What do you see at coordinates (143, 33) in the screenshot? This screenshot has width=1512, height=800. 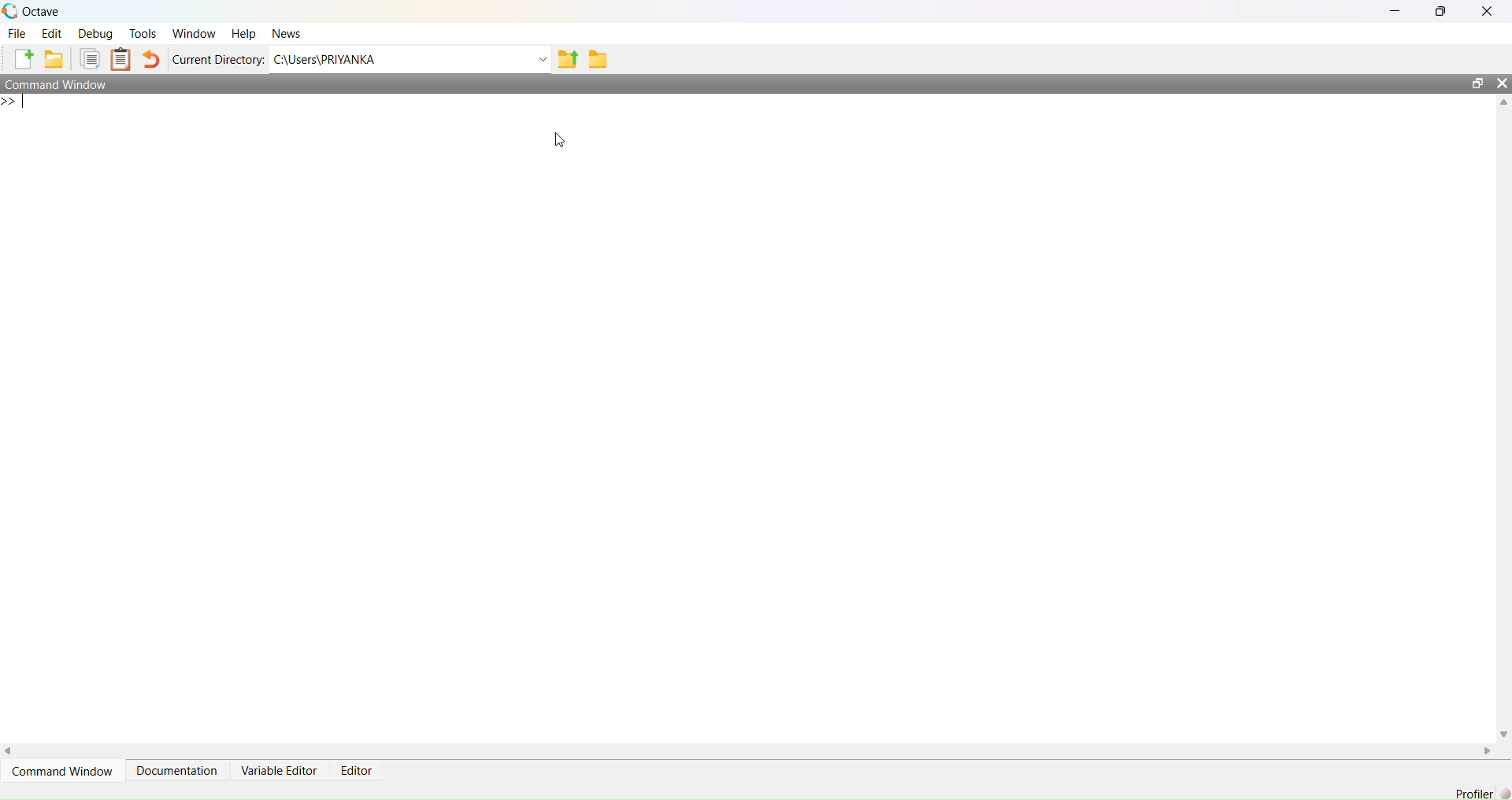 I see `Tools` at bounding box center [143, 33].